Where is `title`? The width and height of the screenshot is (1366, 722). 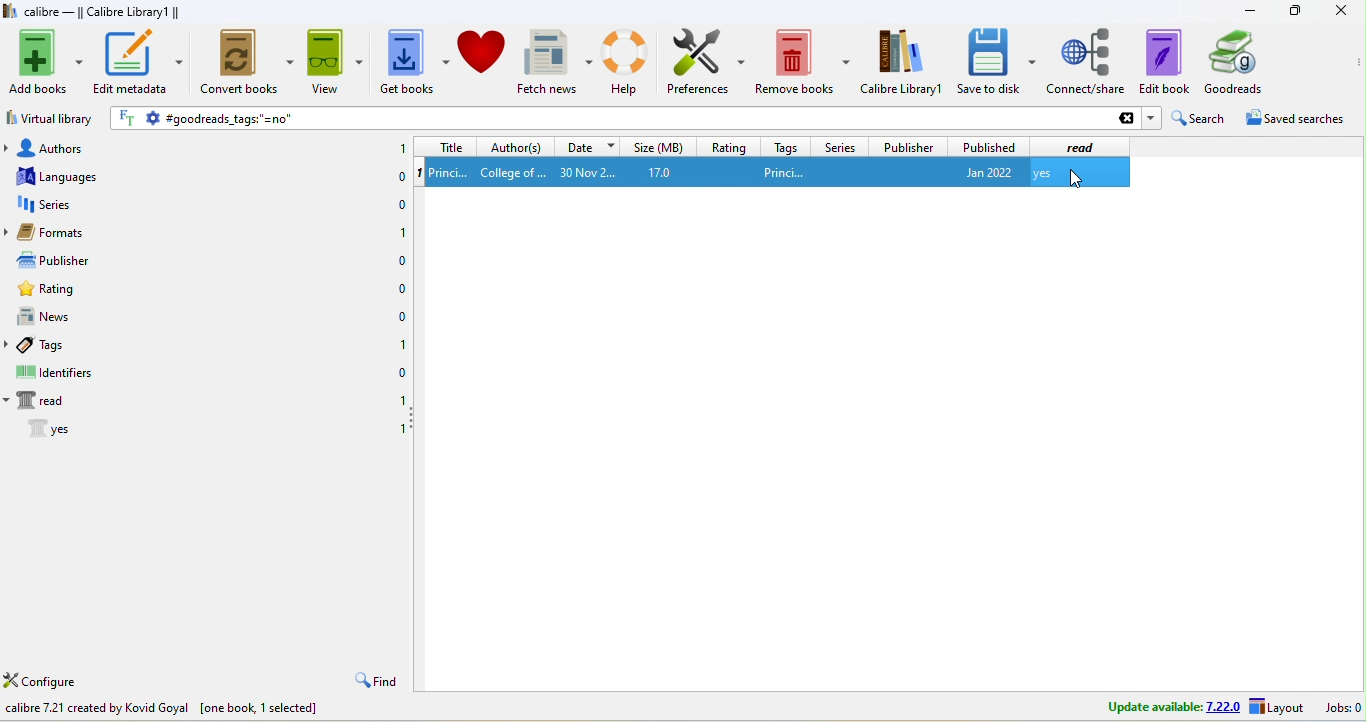
title is located at coordinates (444, 147).